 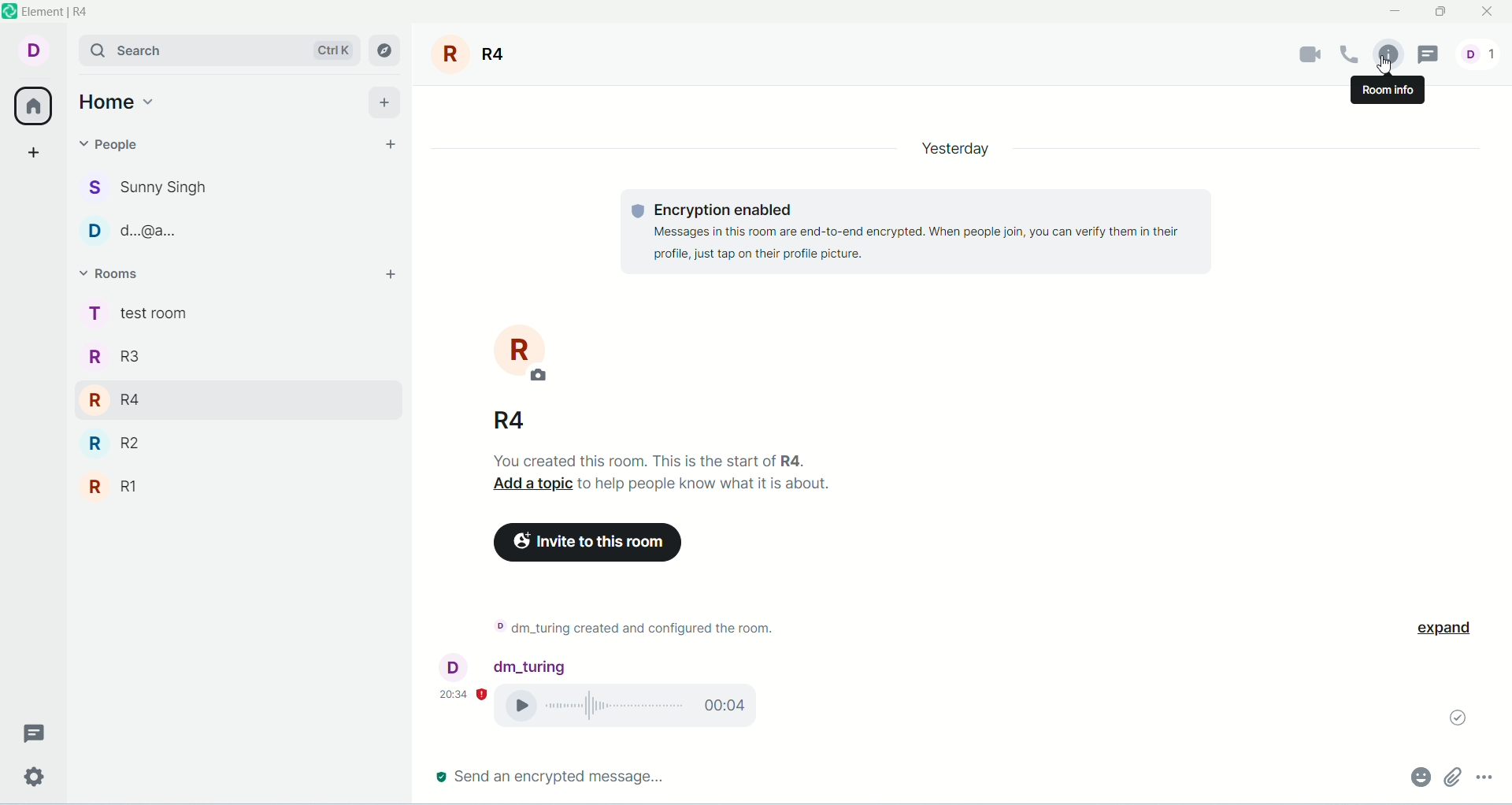 I want to click on voice call, so click(x=1352, y=54).